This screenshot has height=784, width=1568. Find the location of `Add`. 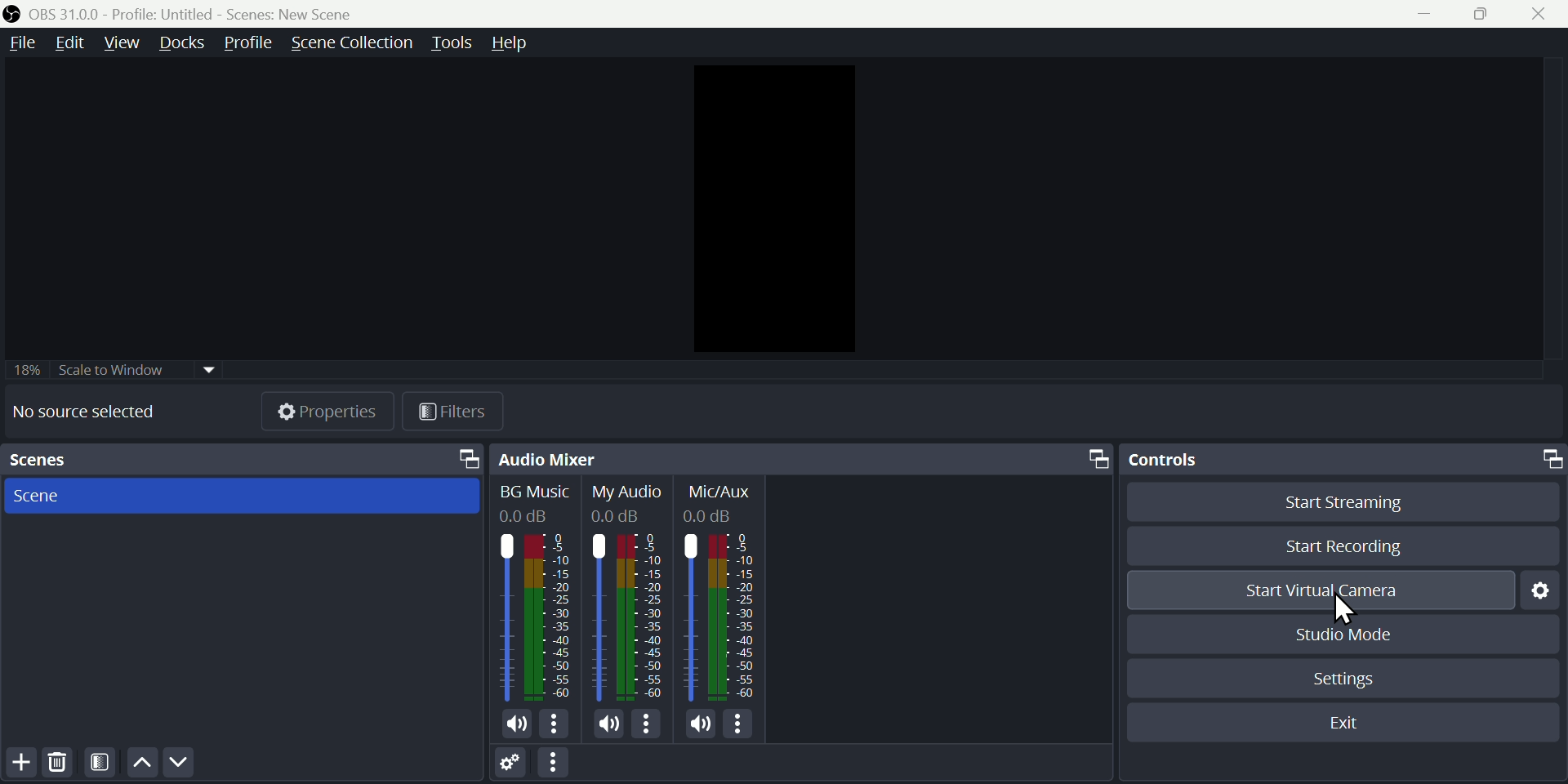

Add is located at coordinates (18, 764).